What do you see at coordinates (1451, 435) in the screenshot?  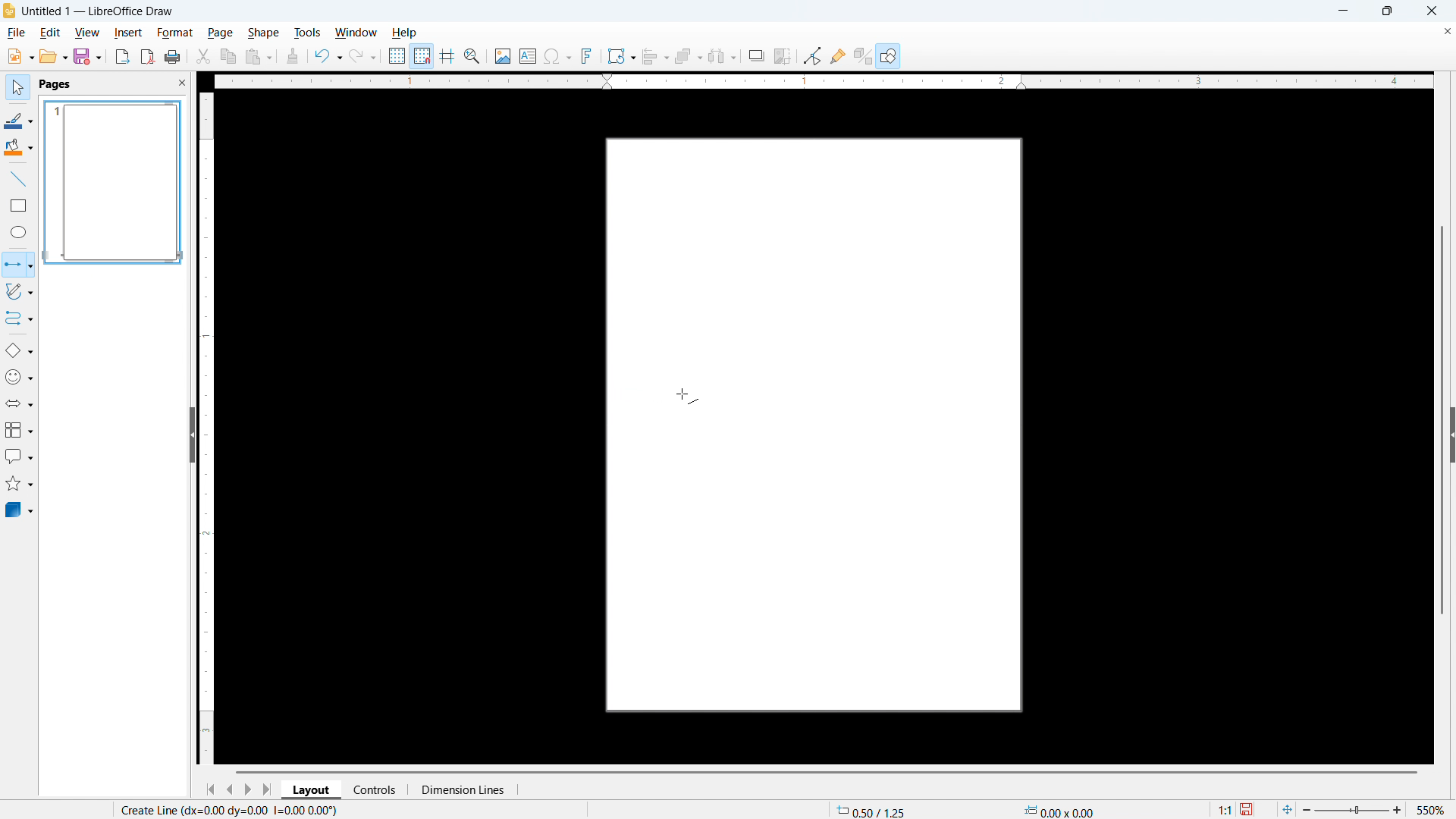 I see `Expand panel ` at bounding box center [1451, 435].